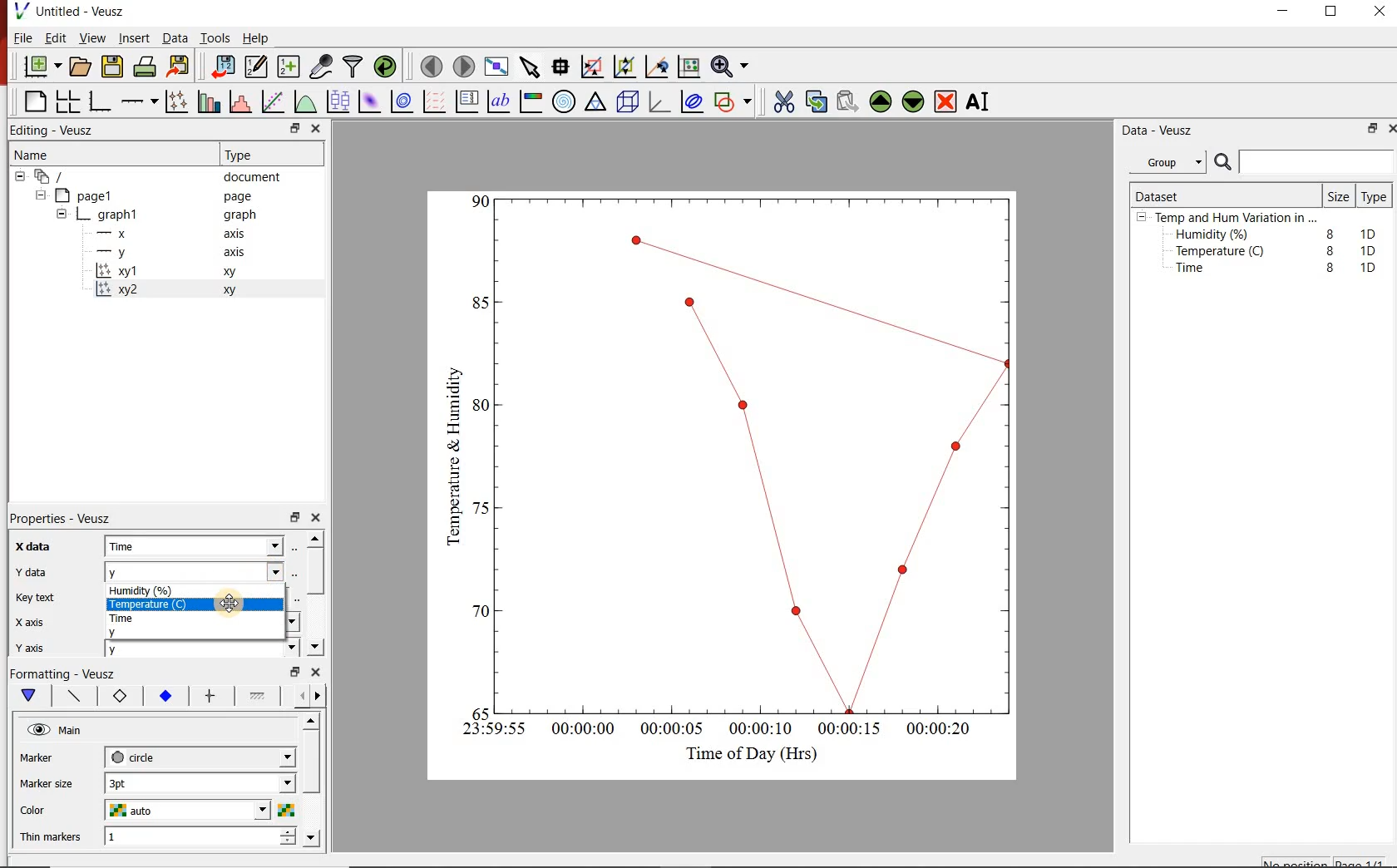  Describe the element at coordinates (33, 100) in the screenshot. I see `blank page` at that location.